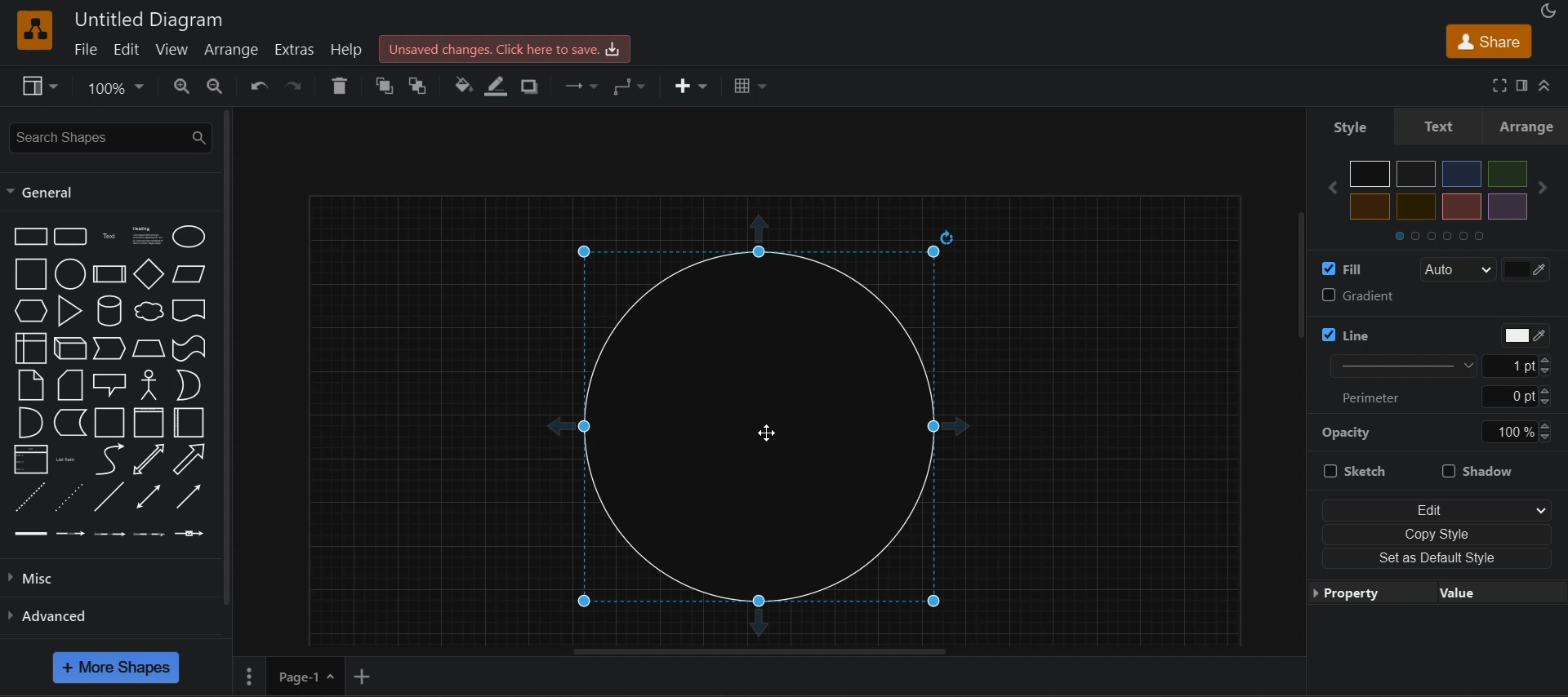 This screenshot has height=697, width=1568. What do you see at coordinates (1333, 189) in the screenshot?
I see `previous` at bounding box center [1333, 189].